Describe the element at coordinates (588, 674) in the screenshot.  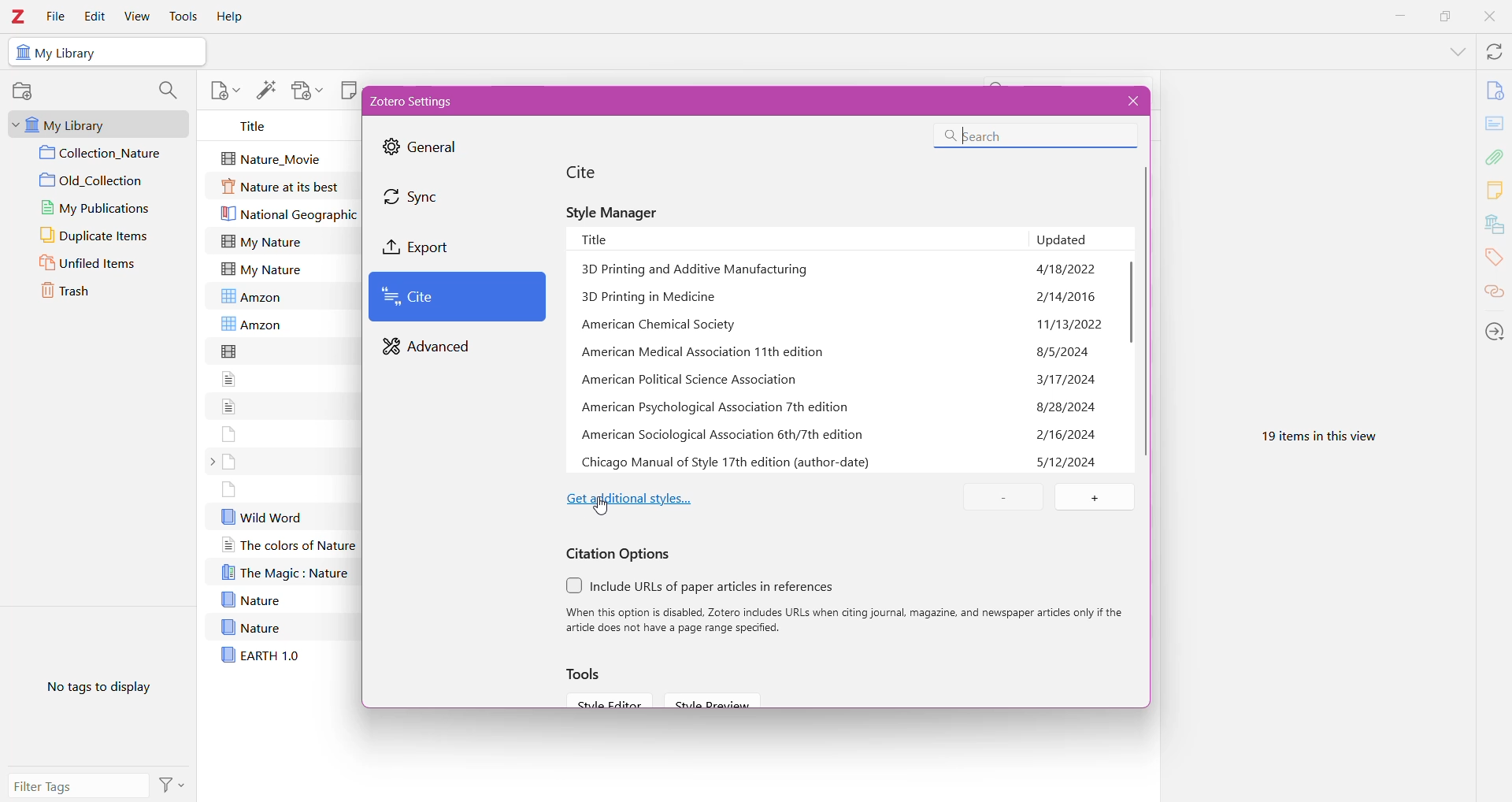
I see `Tools` at that location.